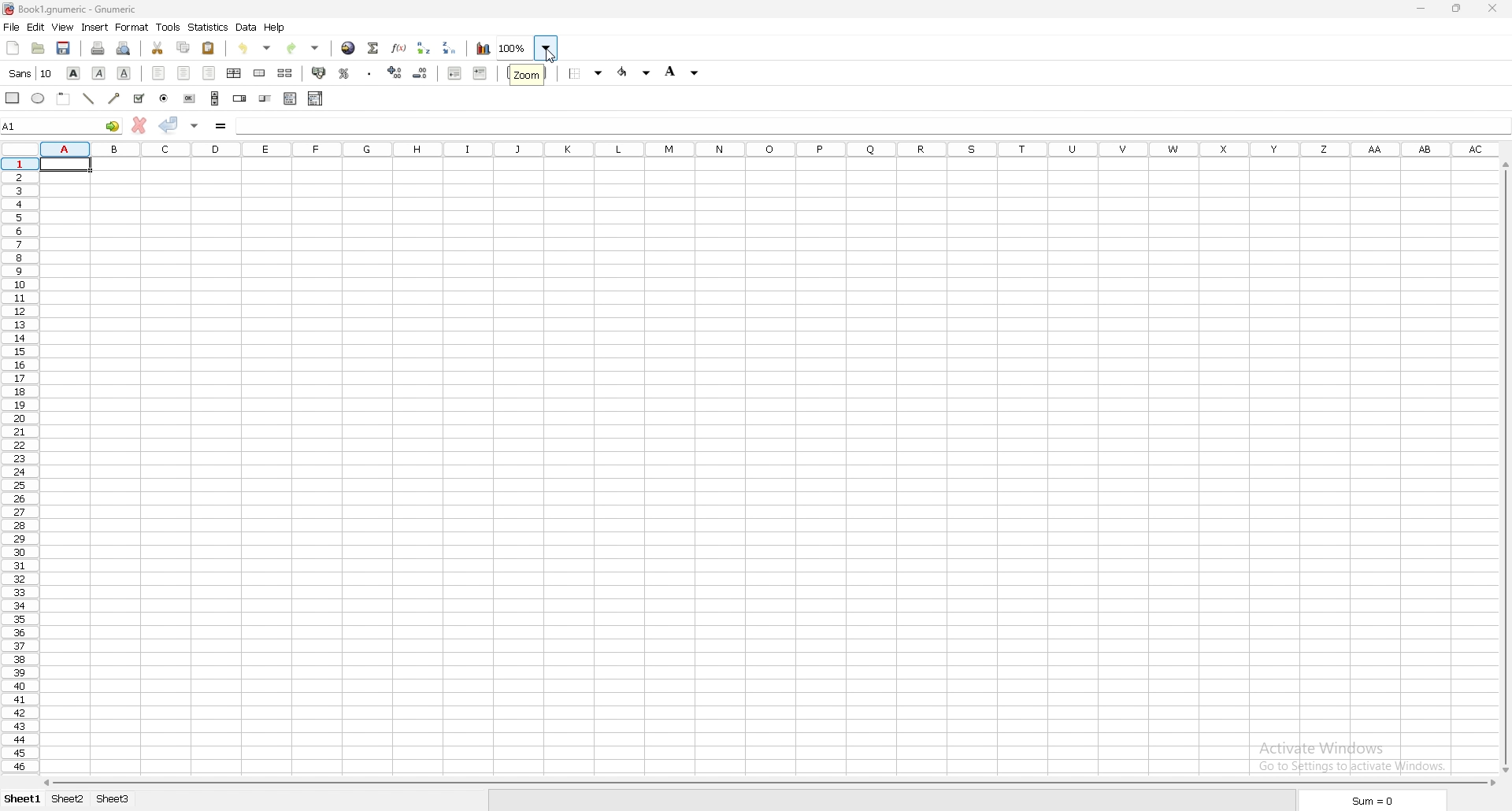 The height and width of the screenshot is (811, 1512). Describe the element at coordinates (1493, 9) in the screenshot. I see `close` at that location.